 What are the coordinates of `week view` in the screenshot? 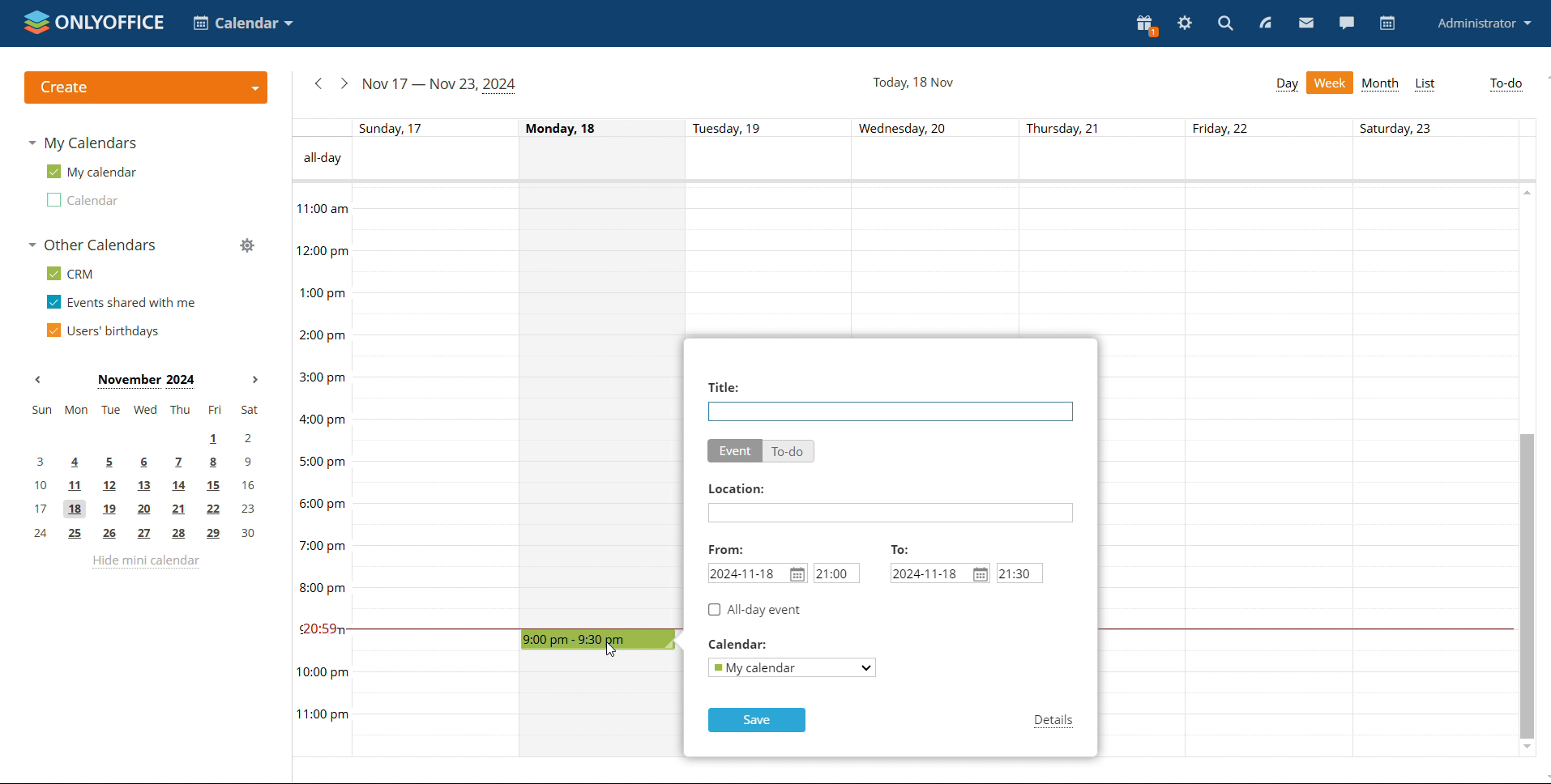 It's located at (1331, 83).